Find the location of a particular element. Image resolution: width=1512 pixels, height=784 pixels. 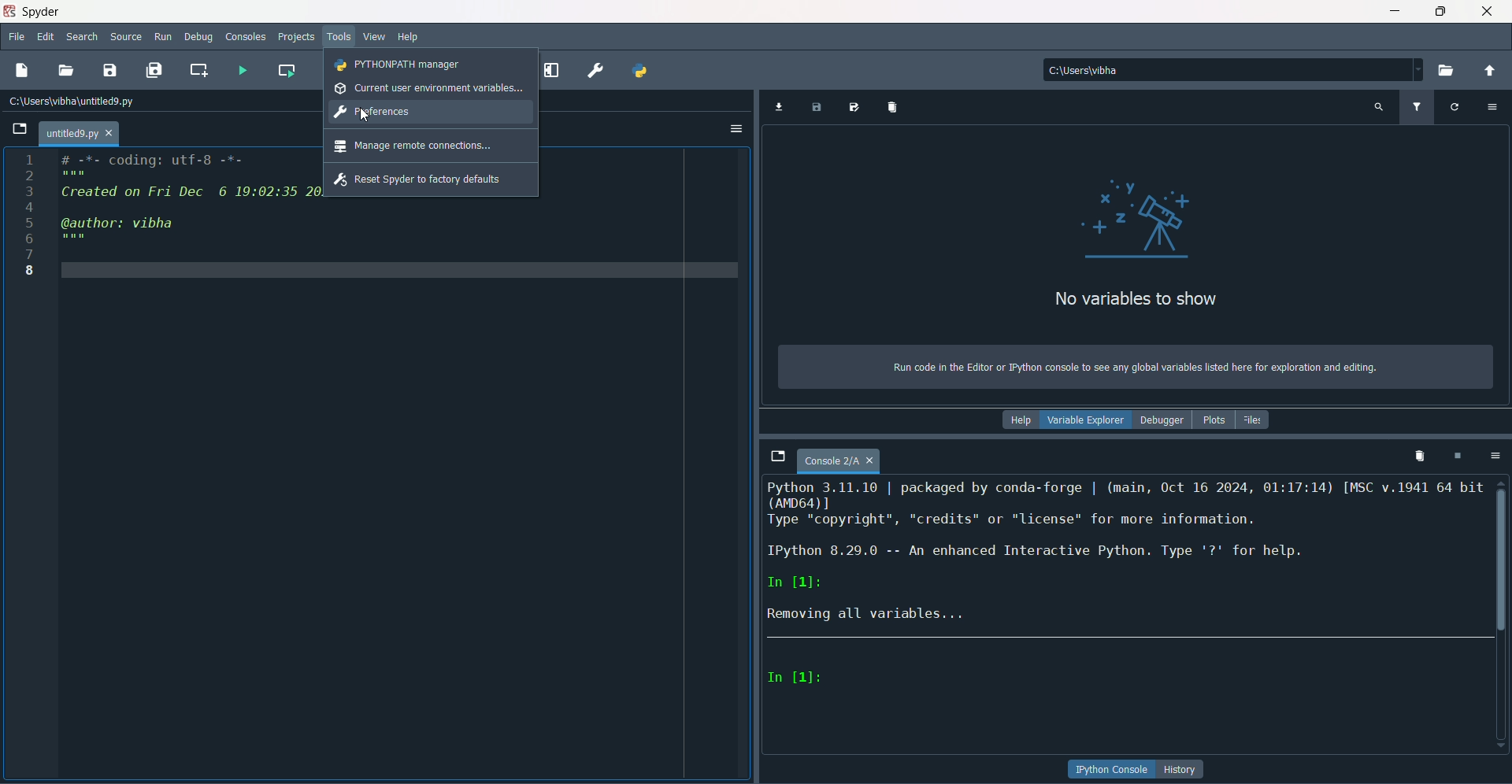

filter variable is located at coordinates (1416, 107).